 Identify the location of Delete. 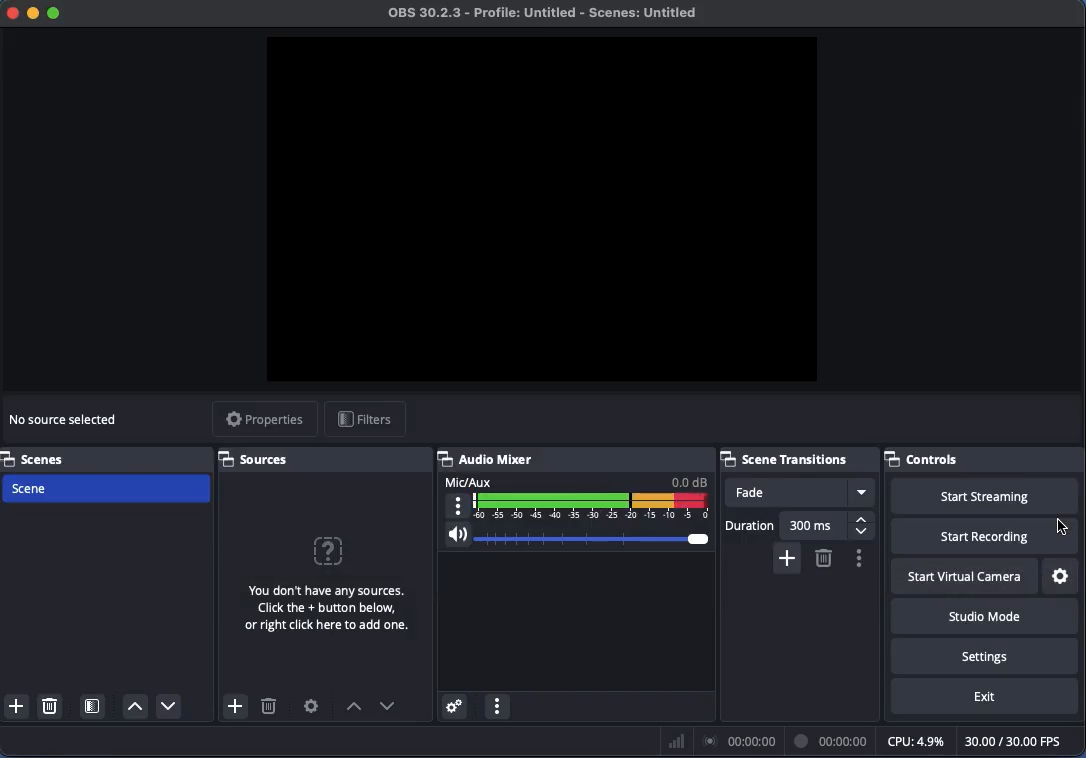
(269, 709).